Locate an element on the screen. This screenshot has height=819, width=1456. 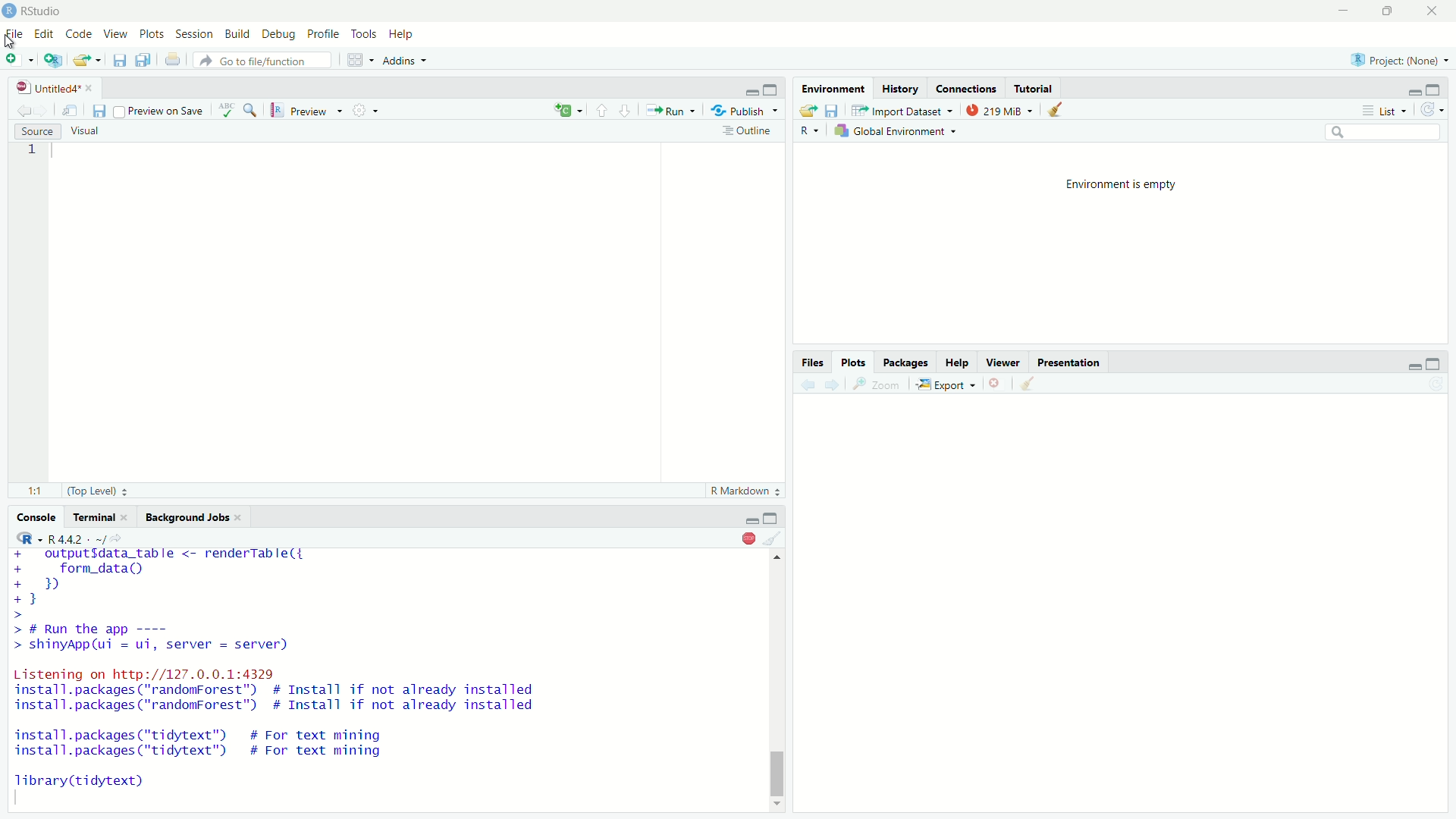
Cursor is located at coordinates (11, 42).